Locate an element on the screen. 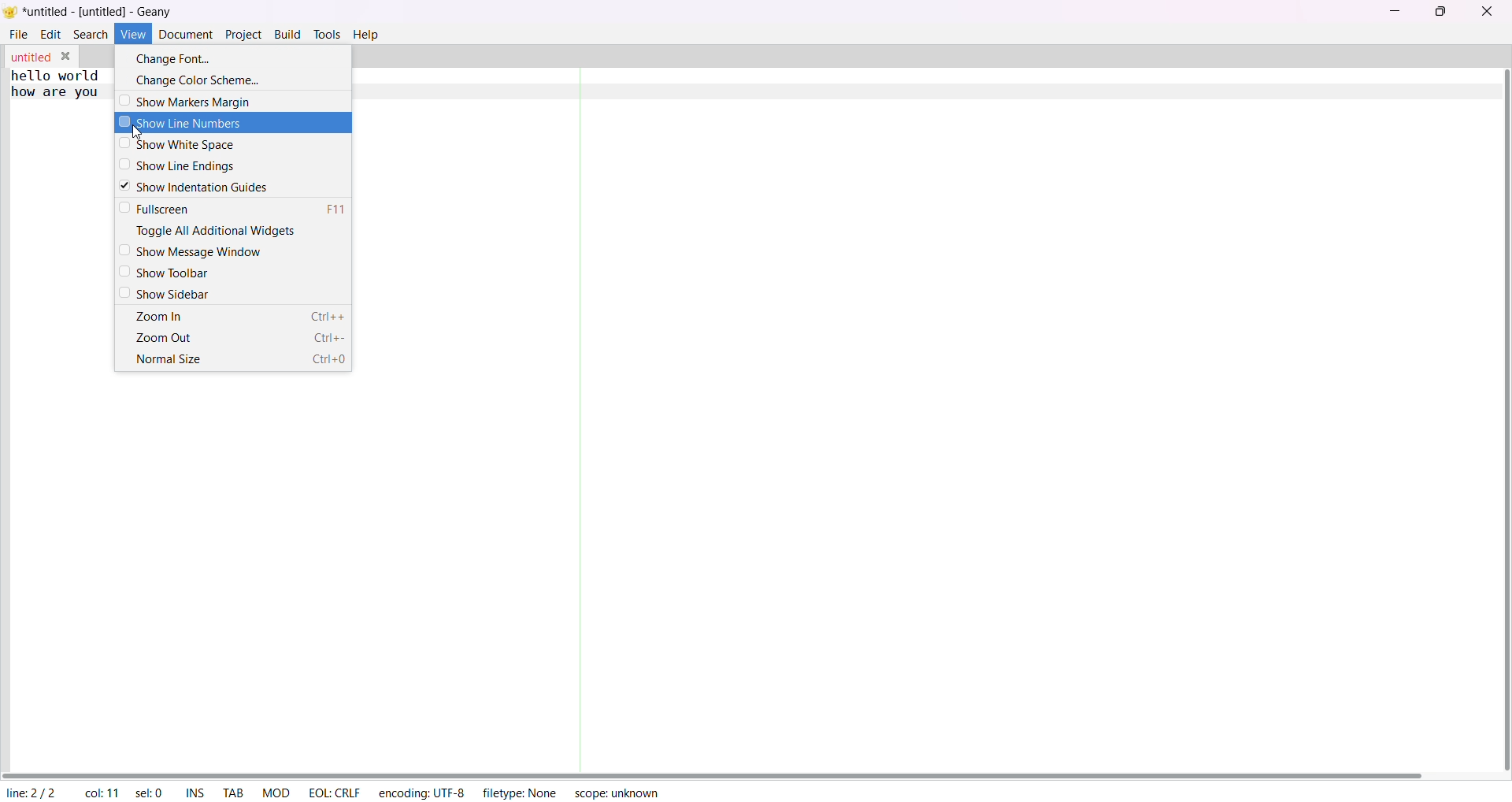 The width and height of the screenshot is (1512, 802). zoom out is located at coordinates (242, 336).